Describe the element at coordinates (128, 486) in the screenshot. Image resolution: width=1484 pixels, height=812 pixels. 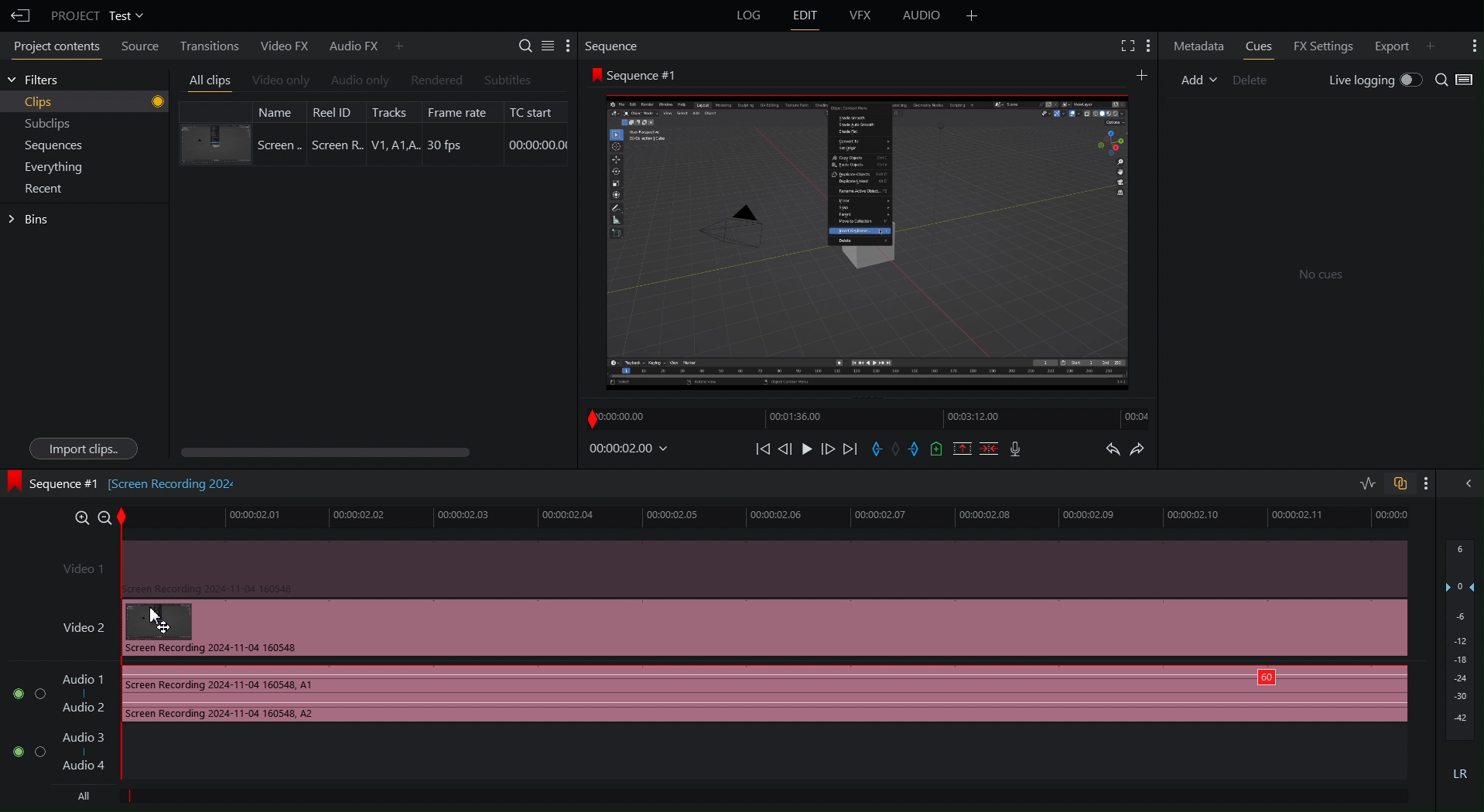
I see `Sequence#1 [Screen recording 202` at that location.